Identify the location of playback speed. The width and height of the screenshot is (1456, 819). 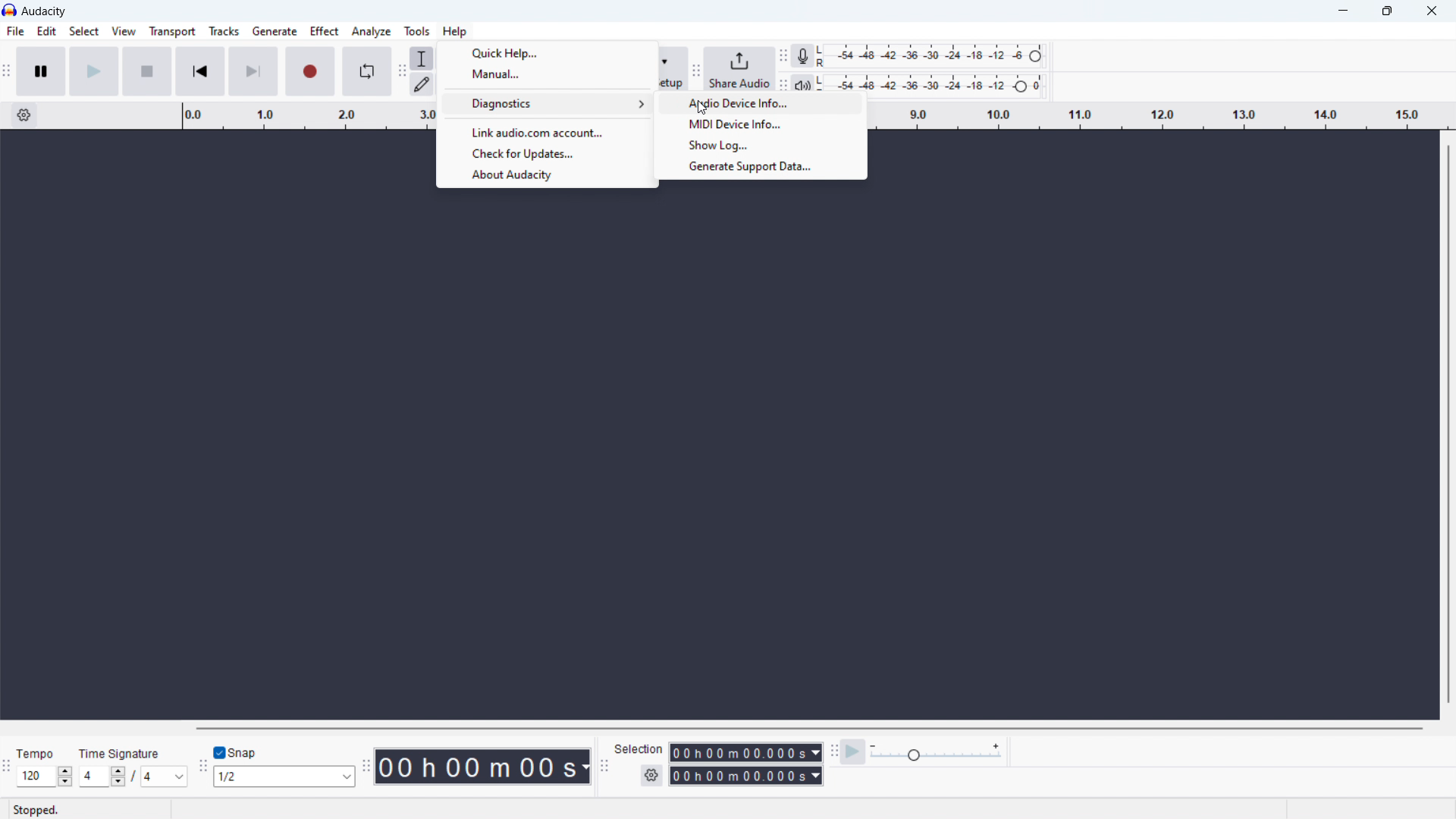
(937, 753).